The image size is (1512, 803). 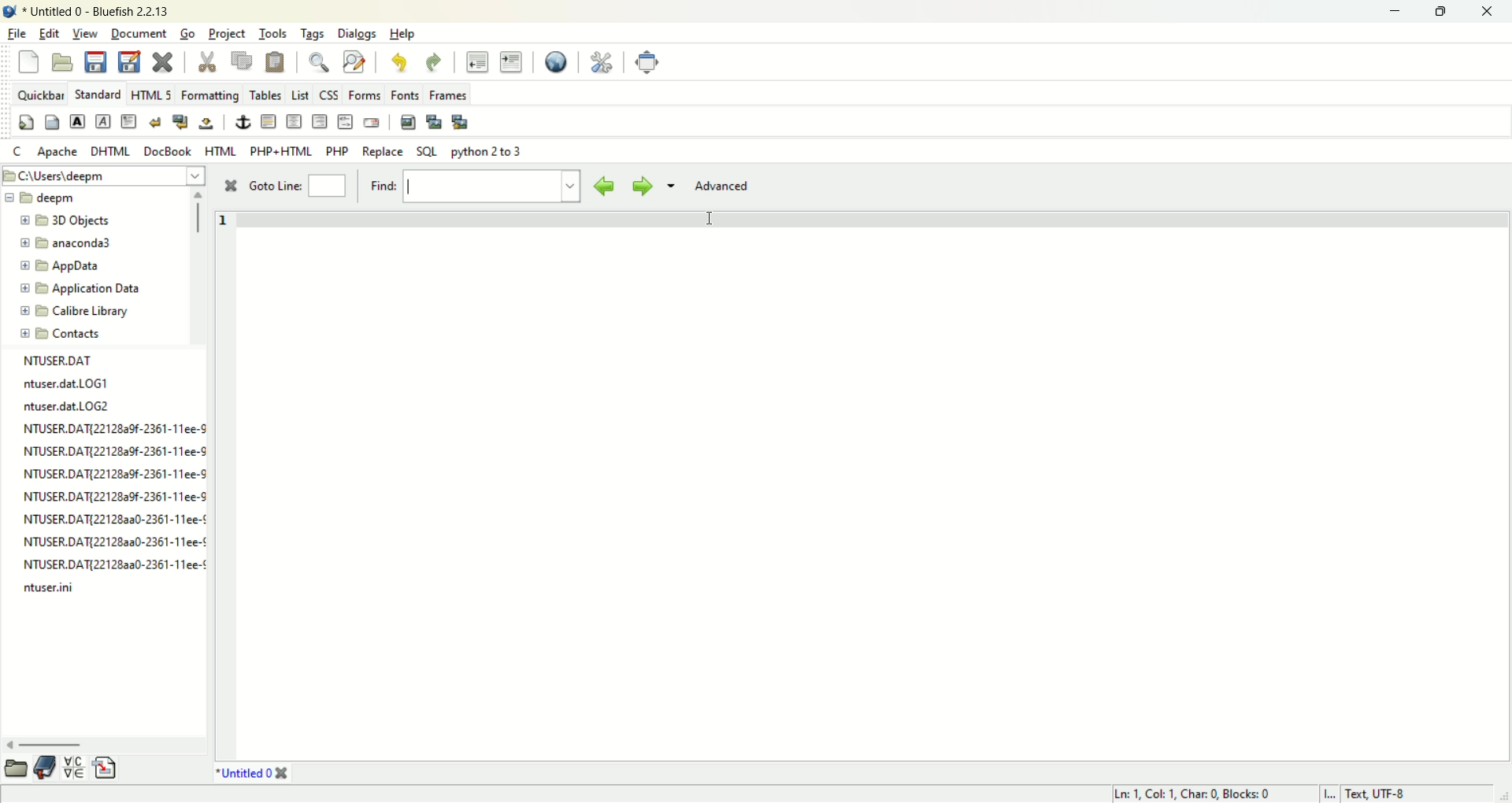 I want to click on emphasis, so click(x=103, y=122).